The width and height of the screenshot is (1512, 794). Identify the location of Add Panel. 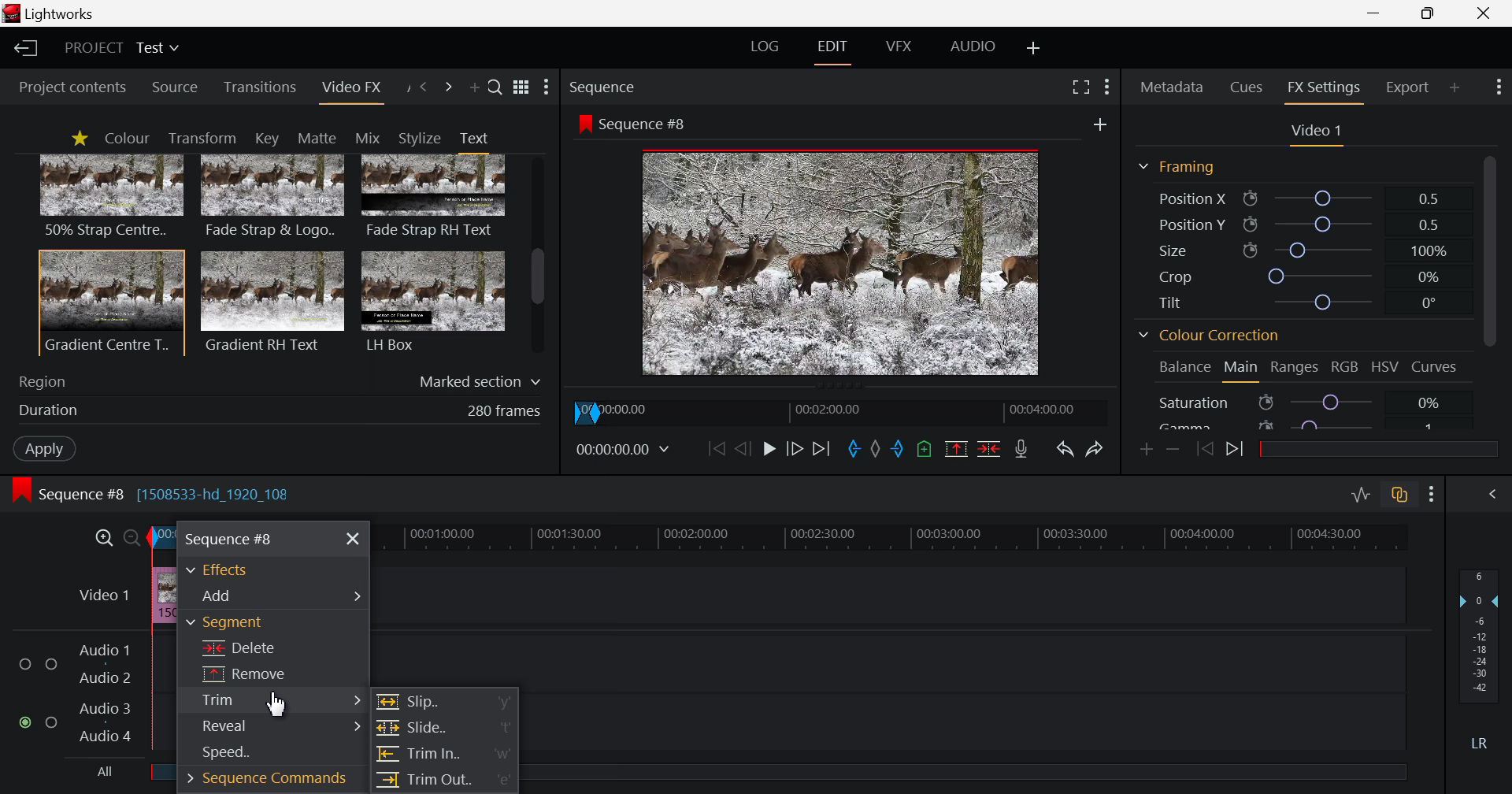
(474, 91).